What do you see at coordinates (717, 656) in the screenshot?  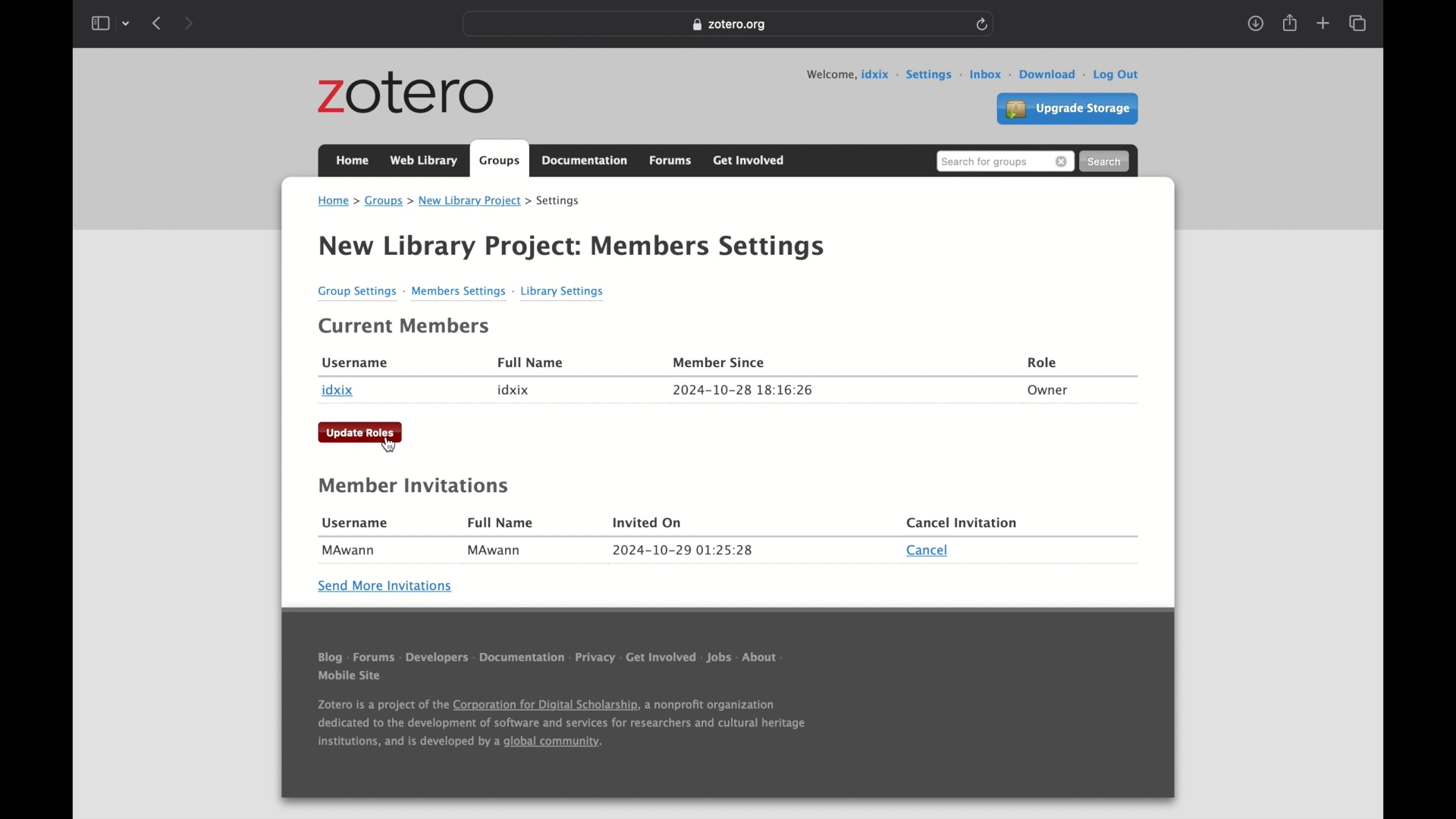 I see `jobs` at bounding box center [717, 656].